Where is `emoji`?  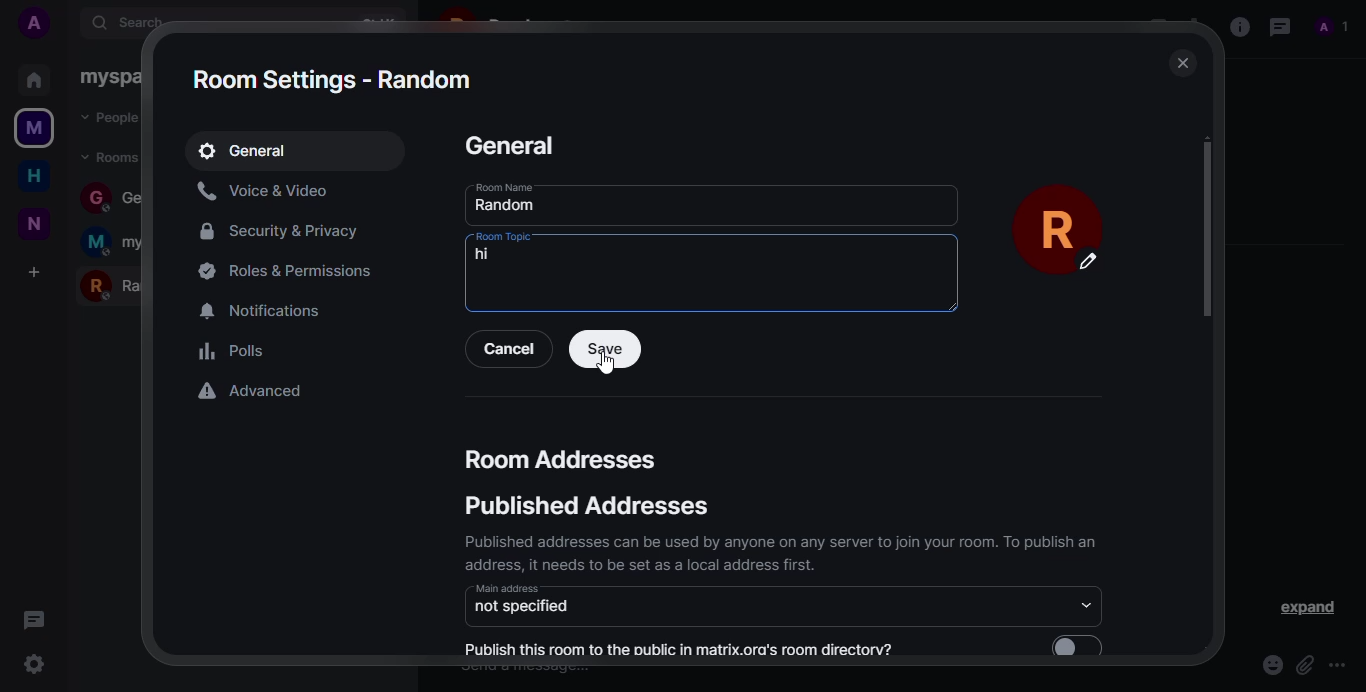
emoji is located at coordinates (1264, 660).